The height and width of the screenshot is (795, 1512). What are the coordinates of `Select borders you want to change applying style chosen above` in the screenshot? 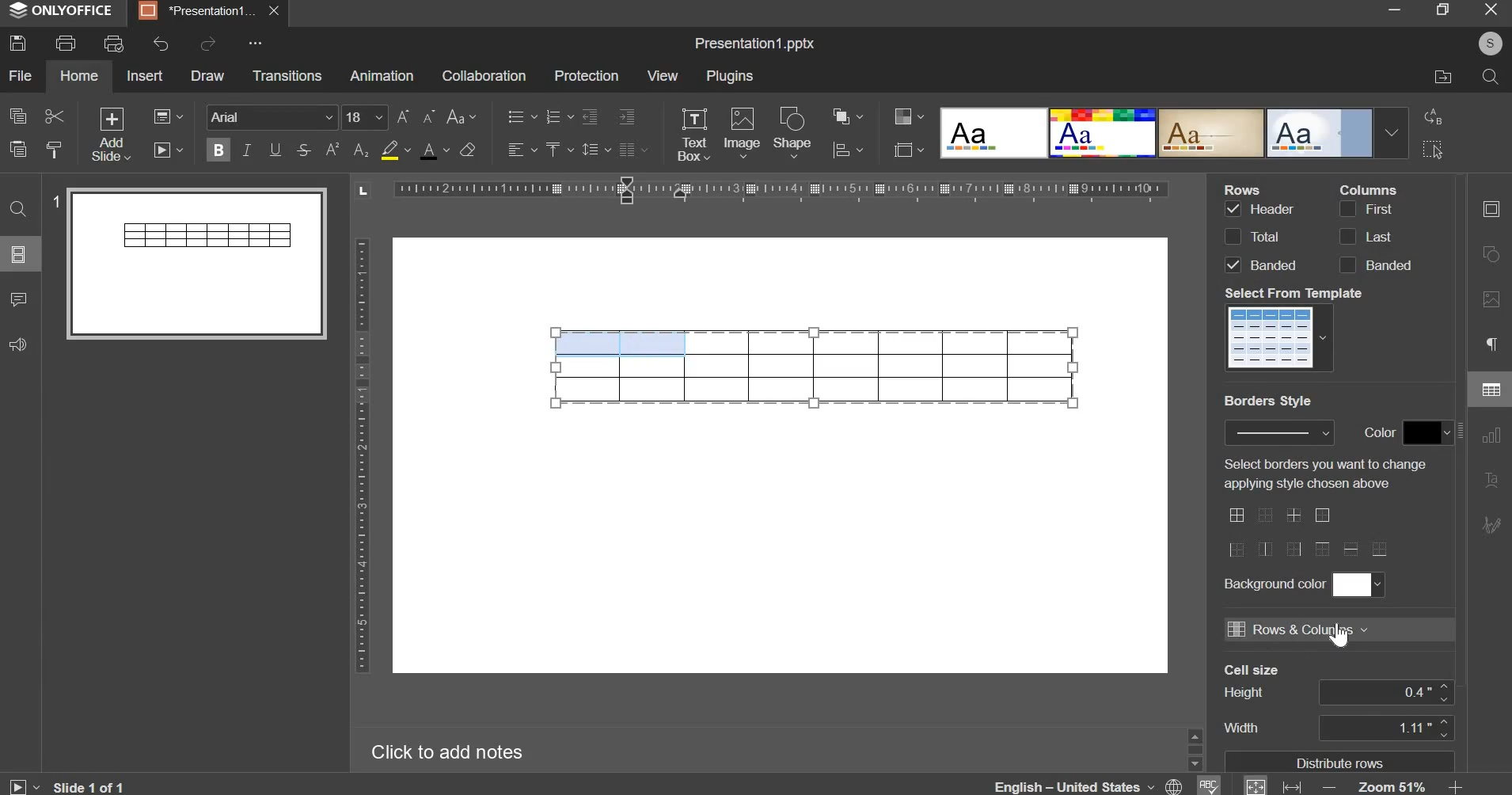 It's located at (1322, 474).